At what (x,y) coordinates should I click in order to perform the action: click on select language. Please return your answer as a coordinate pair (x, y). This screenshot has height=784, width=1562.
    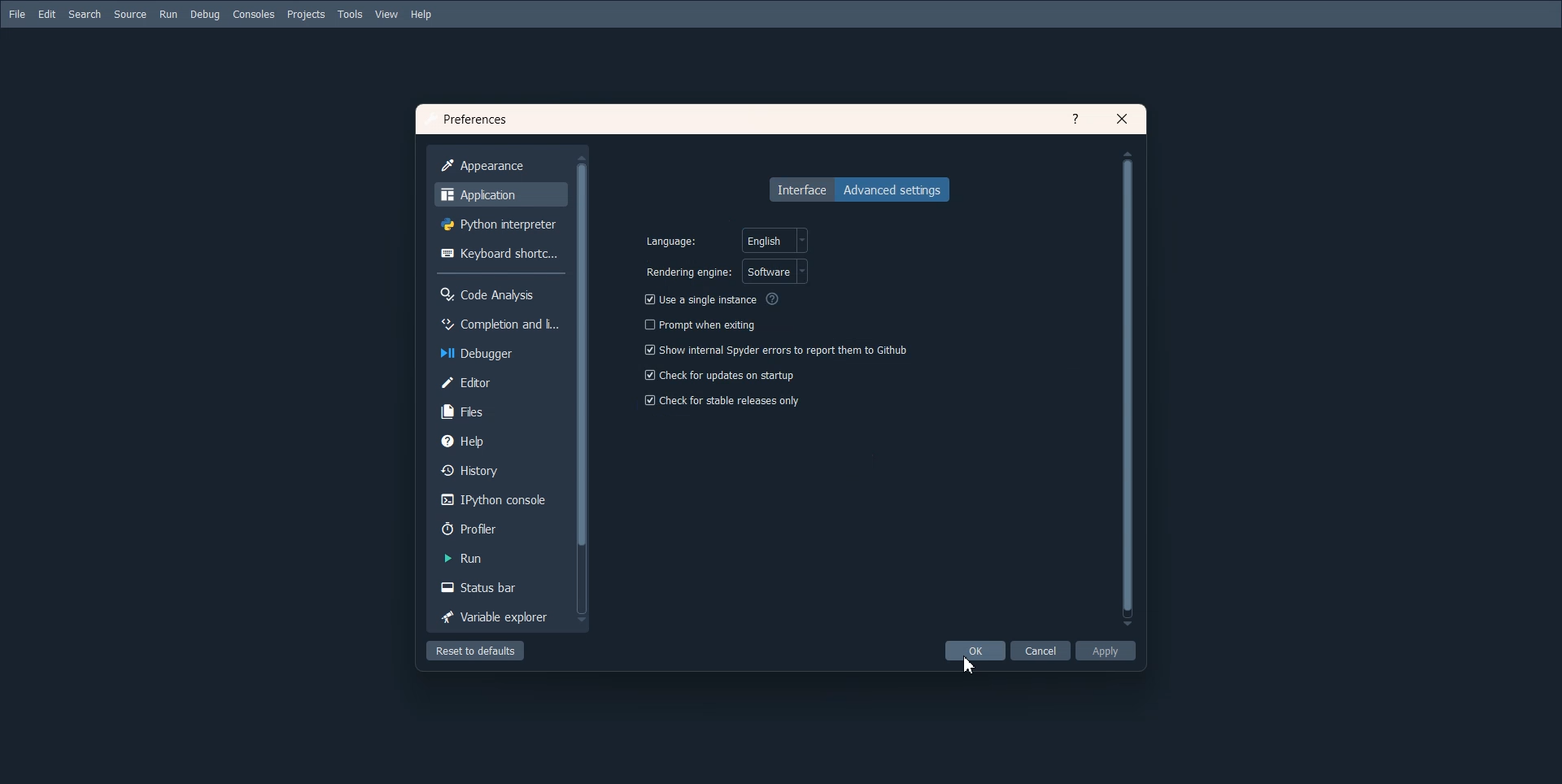
    Looking at the image, I should click on (727, 240).